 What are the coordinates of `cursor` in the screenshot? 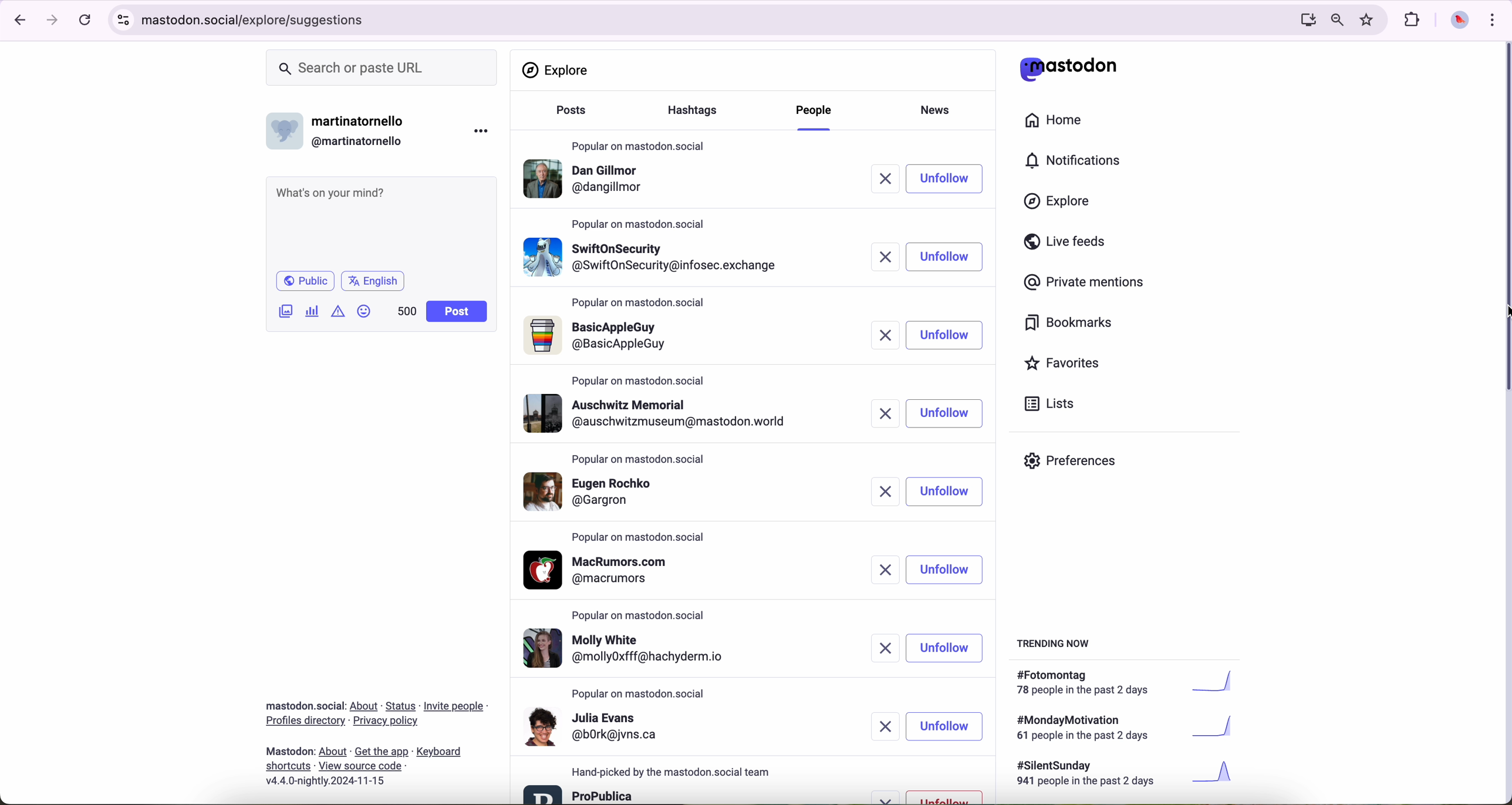 It's located at (956, 799).